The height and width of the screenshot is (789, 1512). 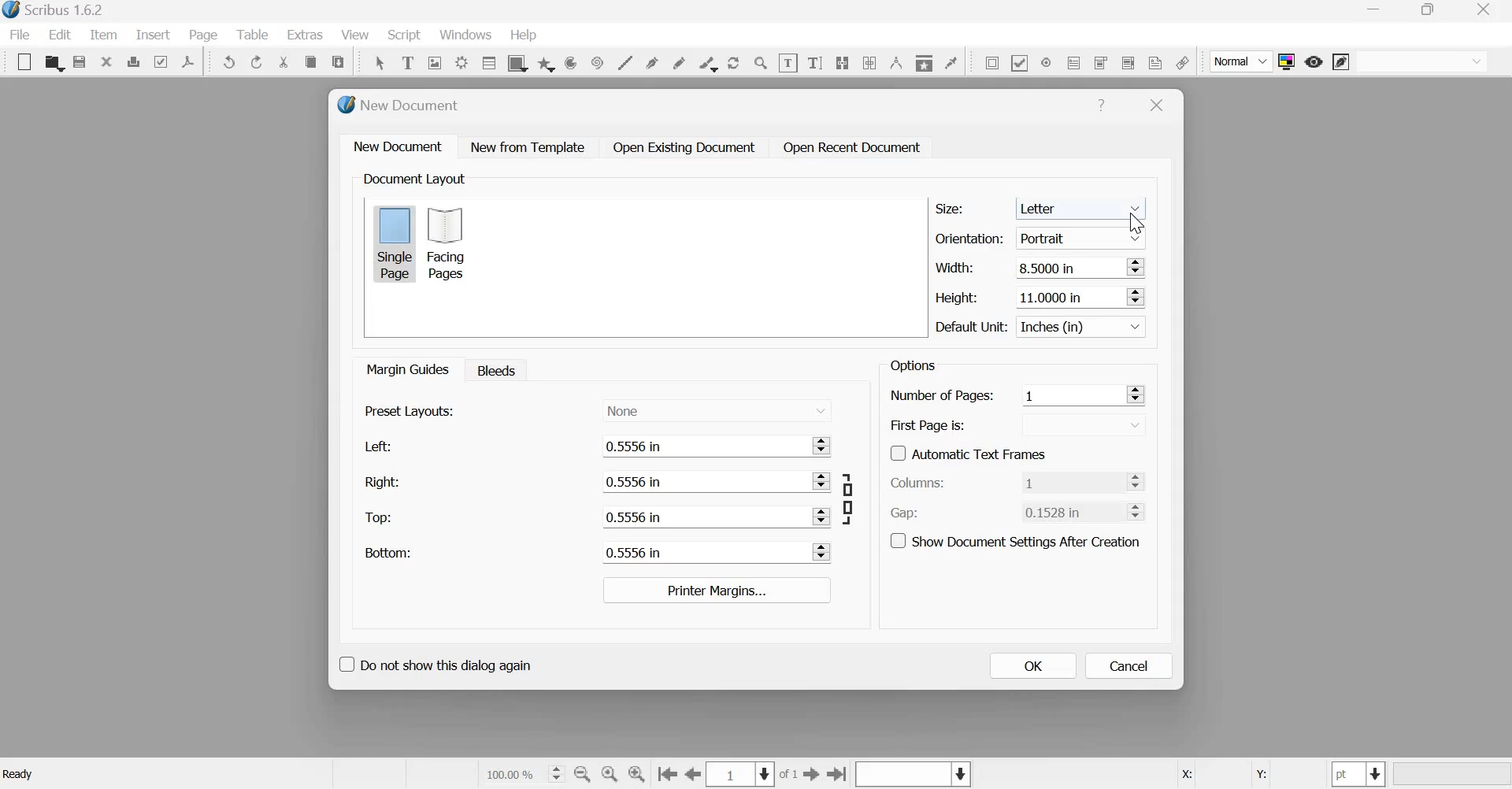 What do you see at coordinates (853, 148) in the screenshot?
I see `Open Recent Document` at bounding box center [853, 148].